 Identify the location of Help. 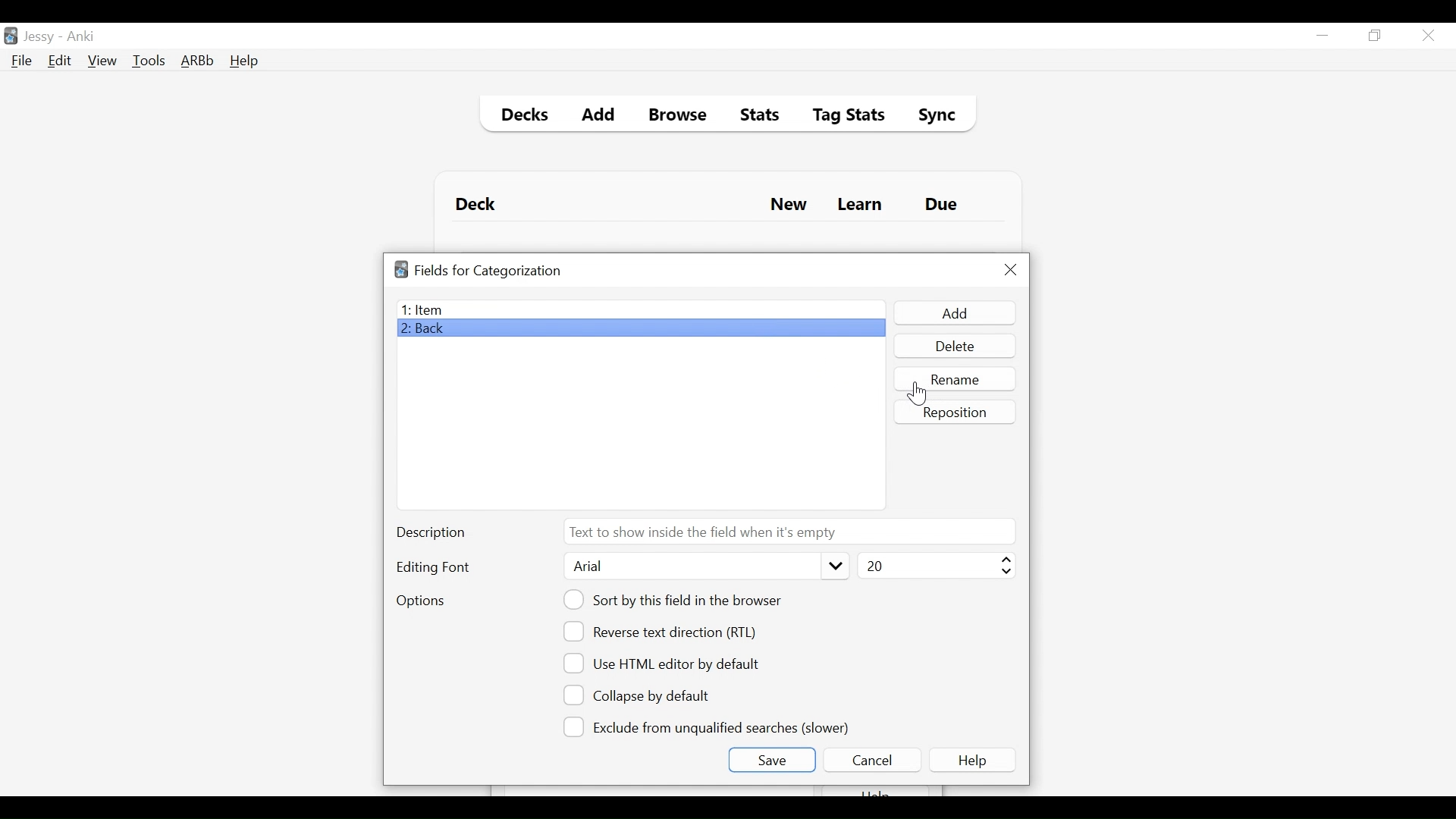
(975, 760).